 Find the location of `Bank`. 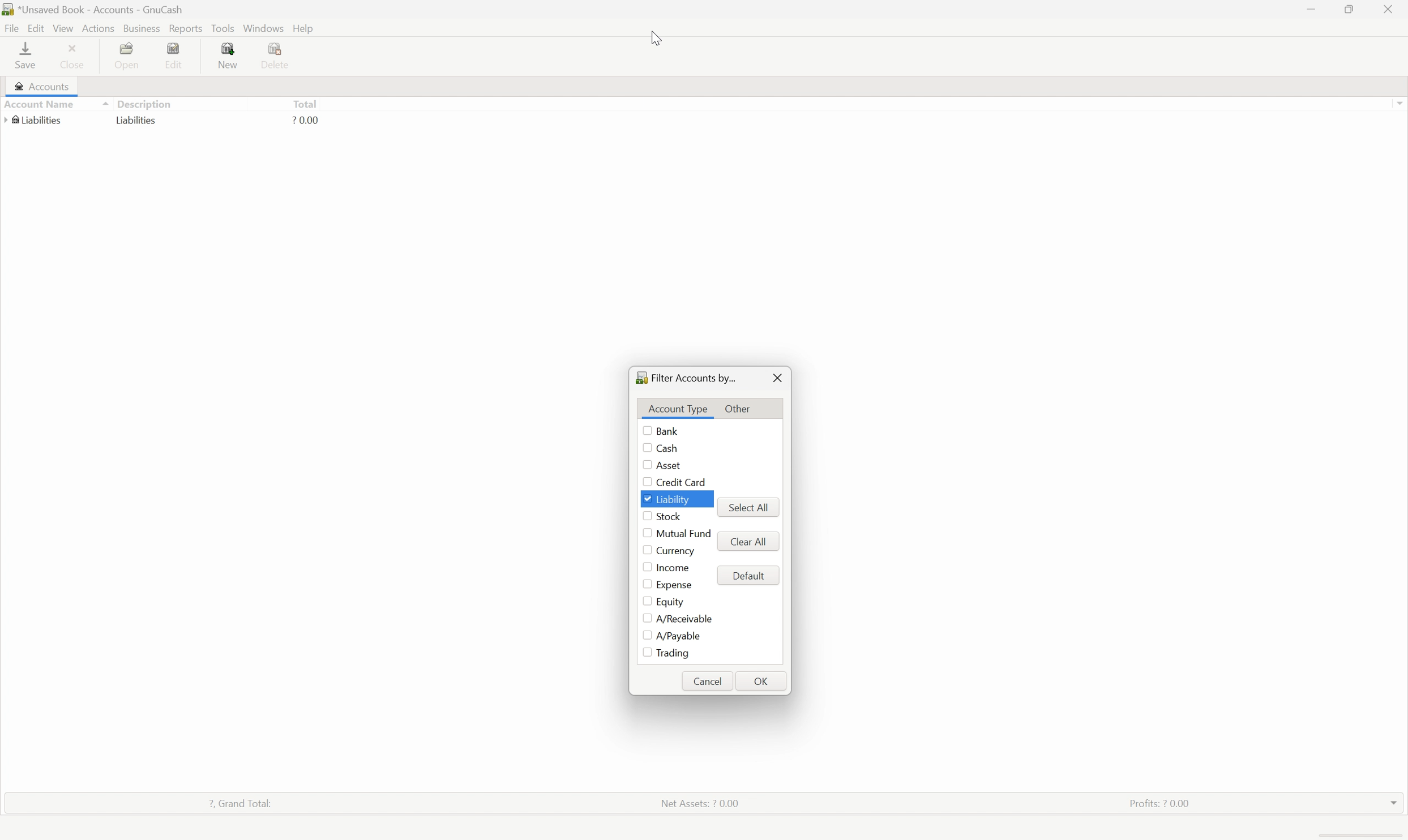

Bank is located at coordinates (668, 431).